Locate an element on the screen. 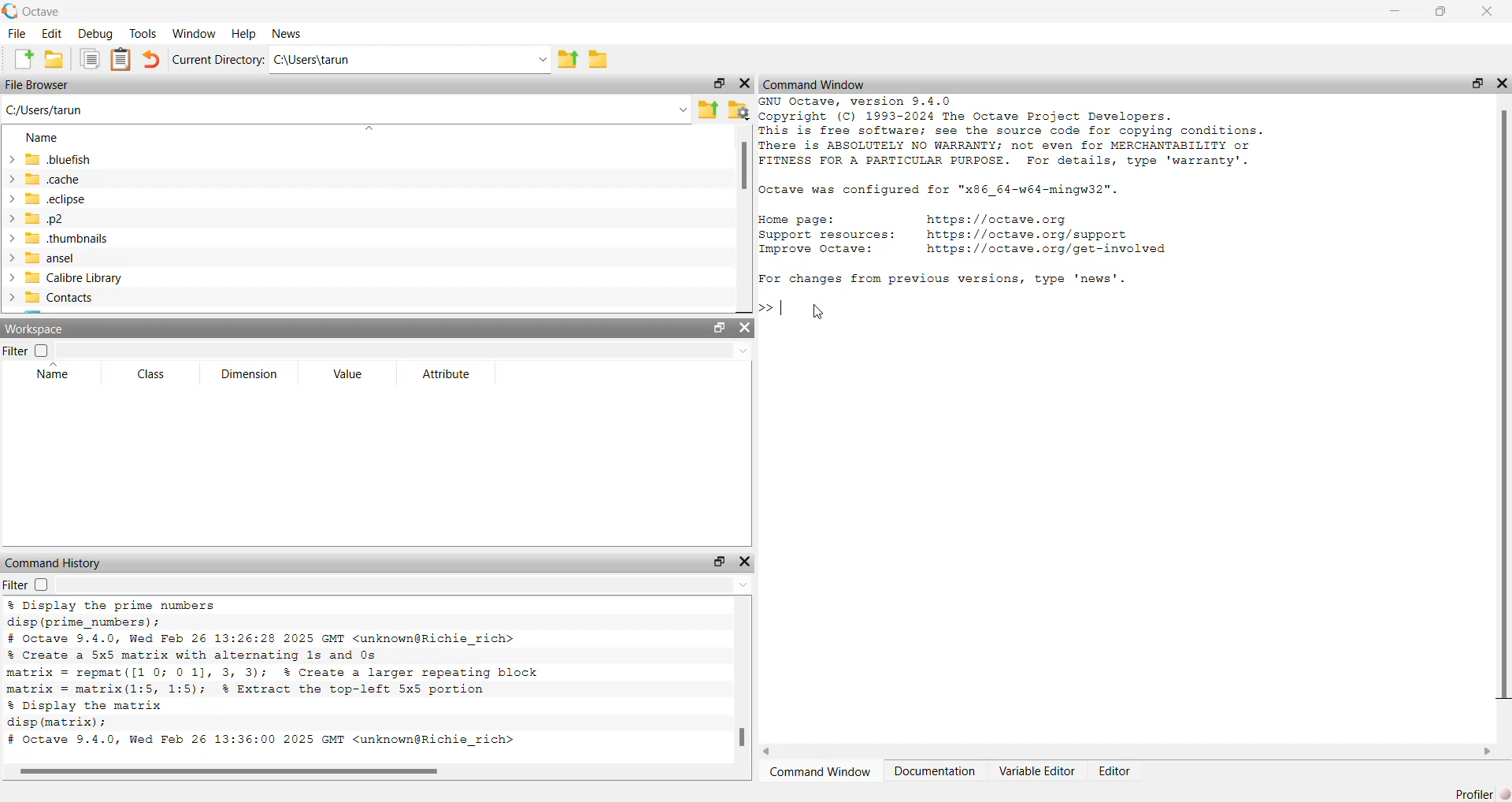 This screenshot has height=802, width=1512. octave resources is located at coordinates (999, 234).